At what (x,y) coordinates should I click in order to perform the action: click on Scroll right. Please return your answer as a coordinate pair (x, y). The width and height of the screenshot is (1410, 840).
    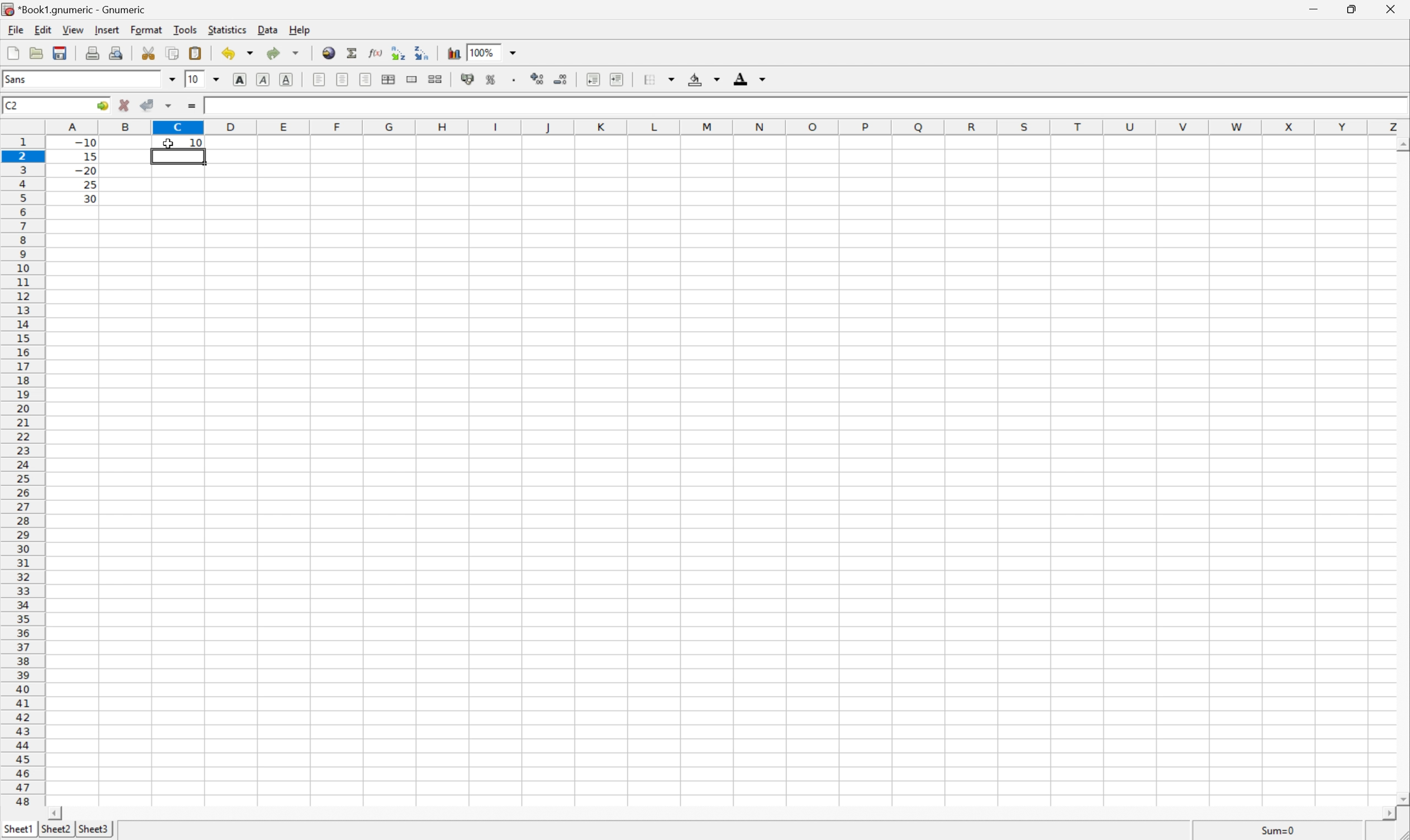
    Looking at the image, I should click on (1383, 814).